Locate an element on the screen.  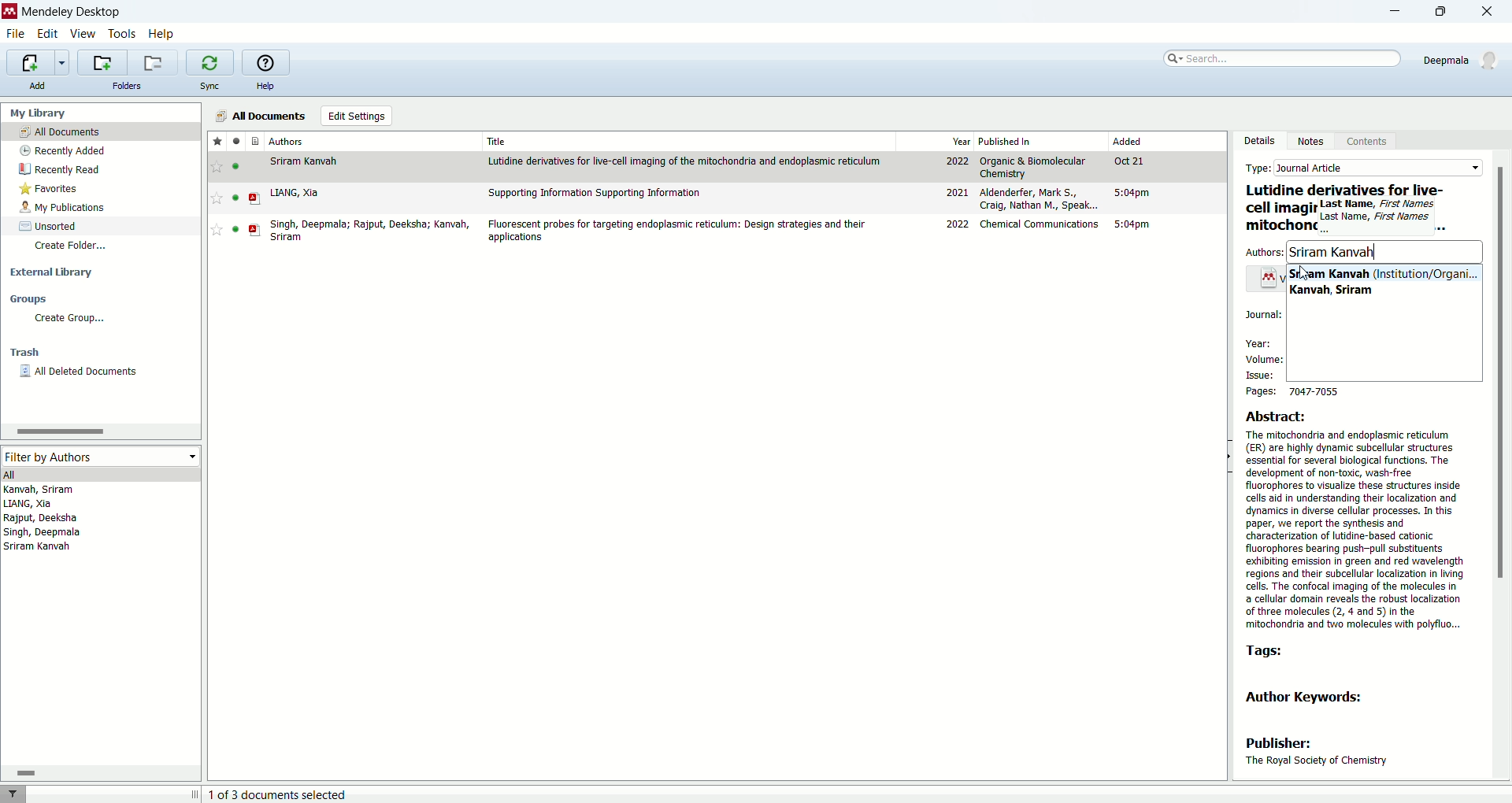
2022 is located at coordinates (956, 161).